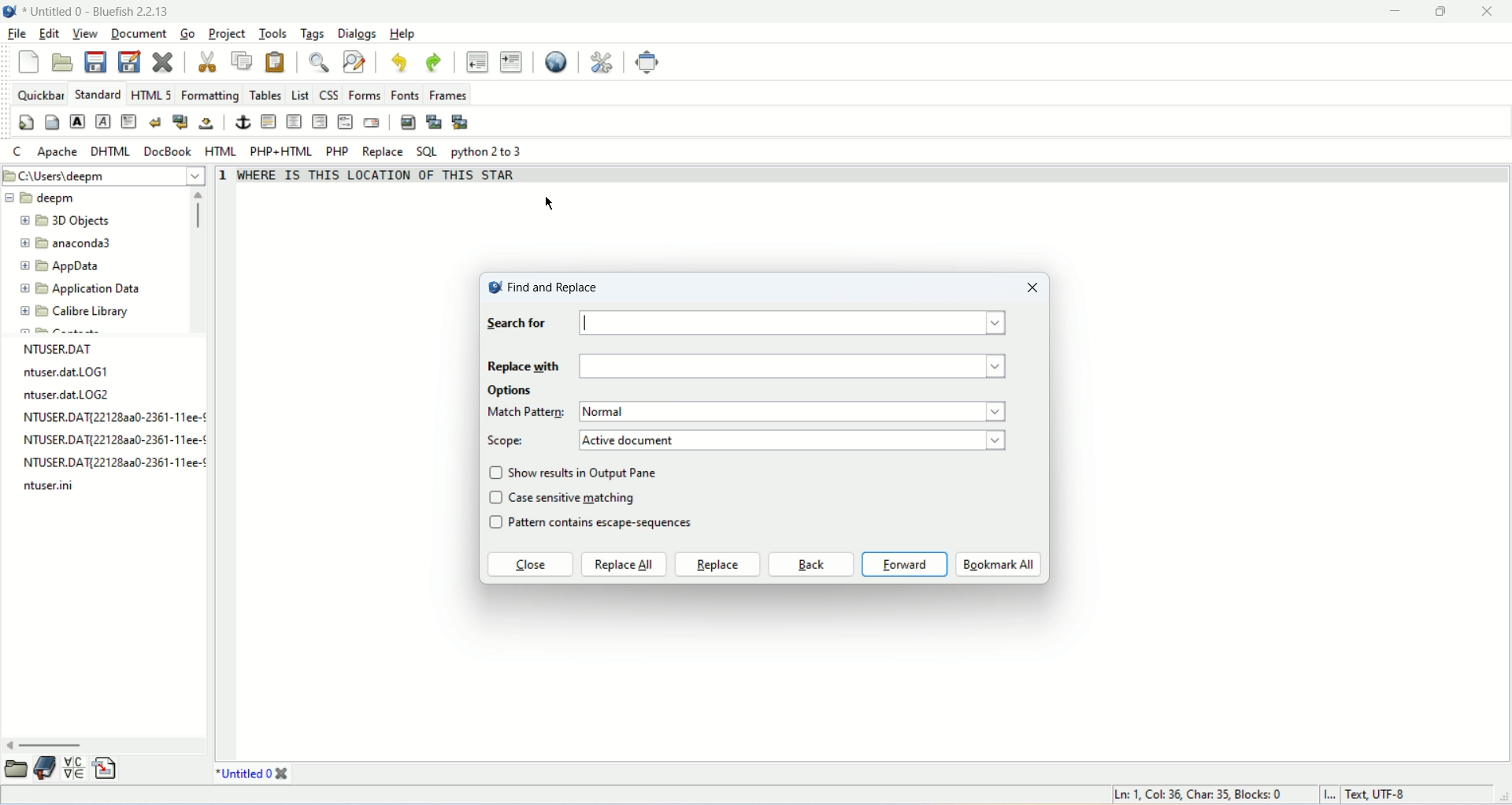 This screenshot has height=805, width=1512. Describe the element at coordinates (516, 325) in the screenshot. I see `search for` at that location.